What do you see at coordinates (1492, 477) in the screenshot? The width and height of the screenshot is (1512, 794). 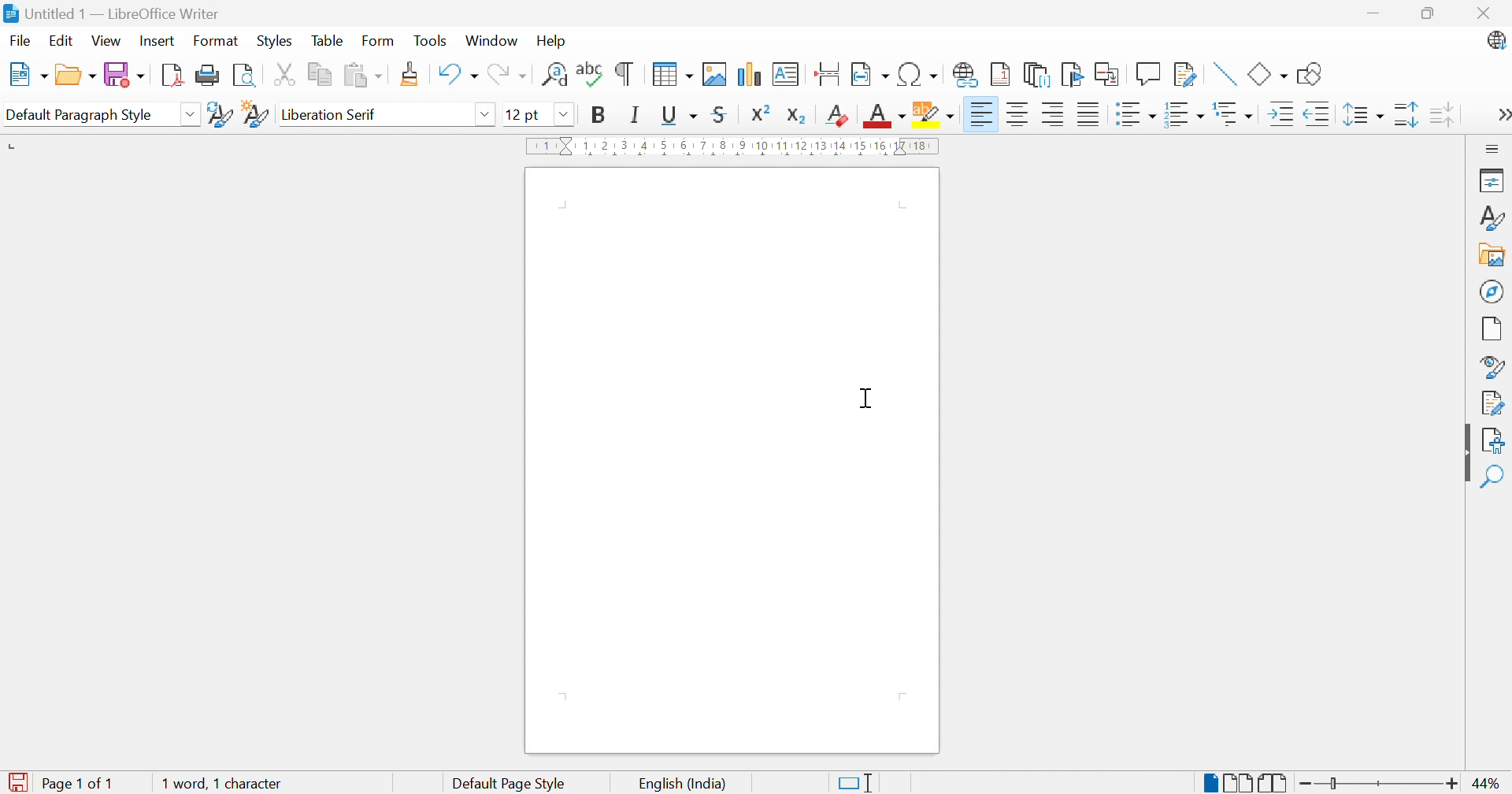 I see `Find` at bounding box center [1492, 477].